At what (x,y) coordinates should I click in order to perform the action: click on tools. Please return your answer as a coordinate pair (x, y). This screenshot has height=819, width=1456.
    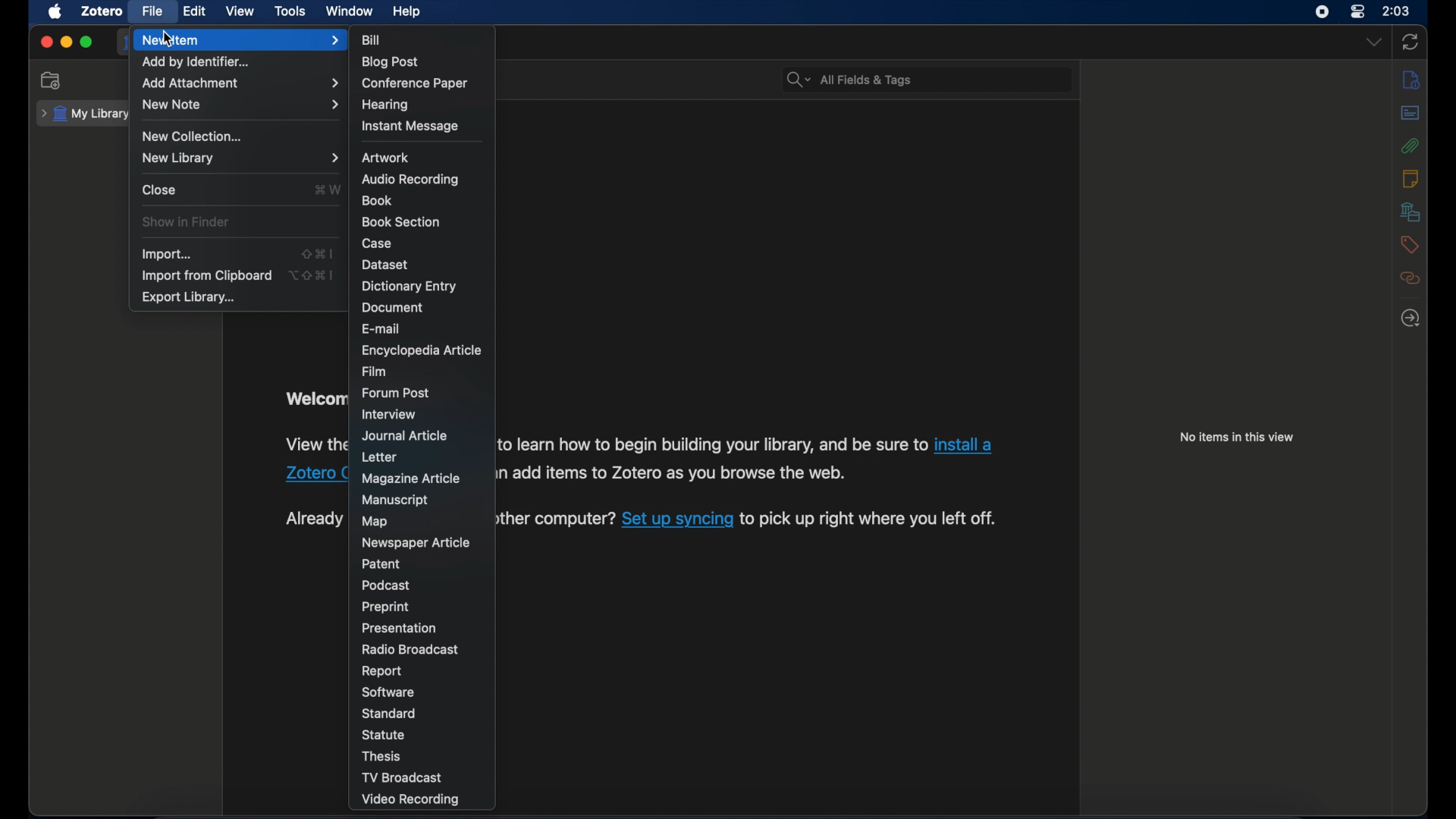
    Looking at the image, I should click on (290, 11).